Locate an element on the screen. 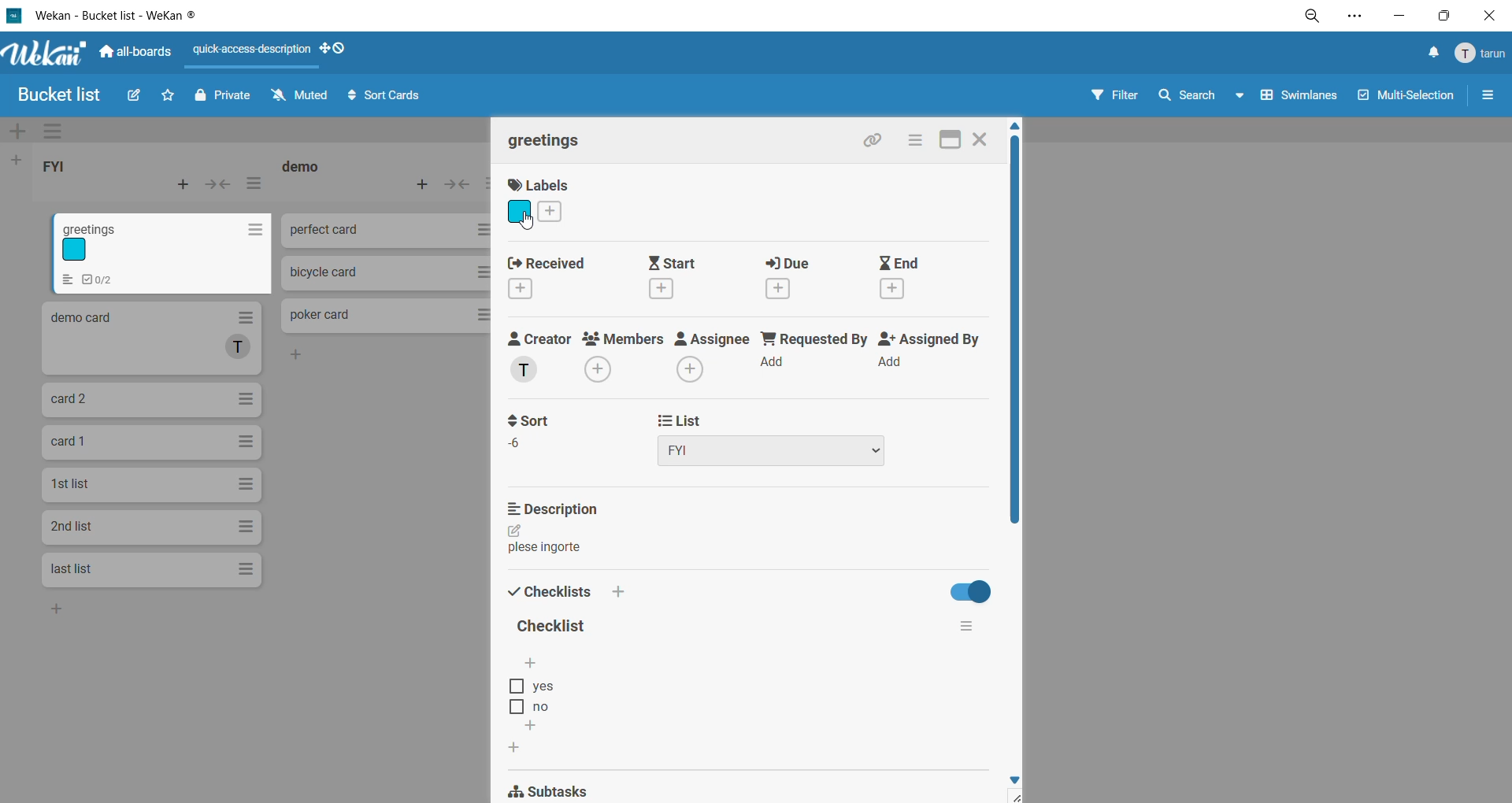  menu is located at coordinates (1480, 54).